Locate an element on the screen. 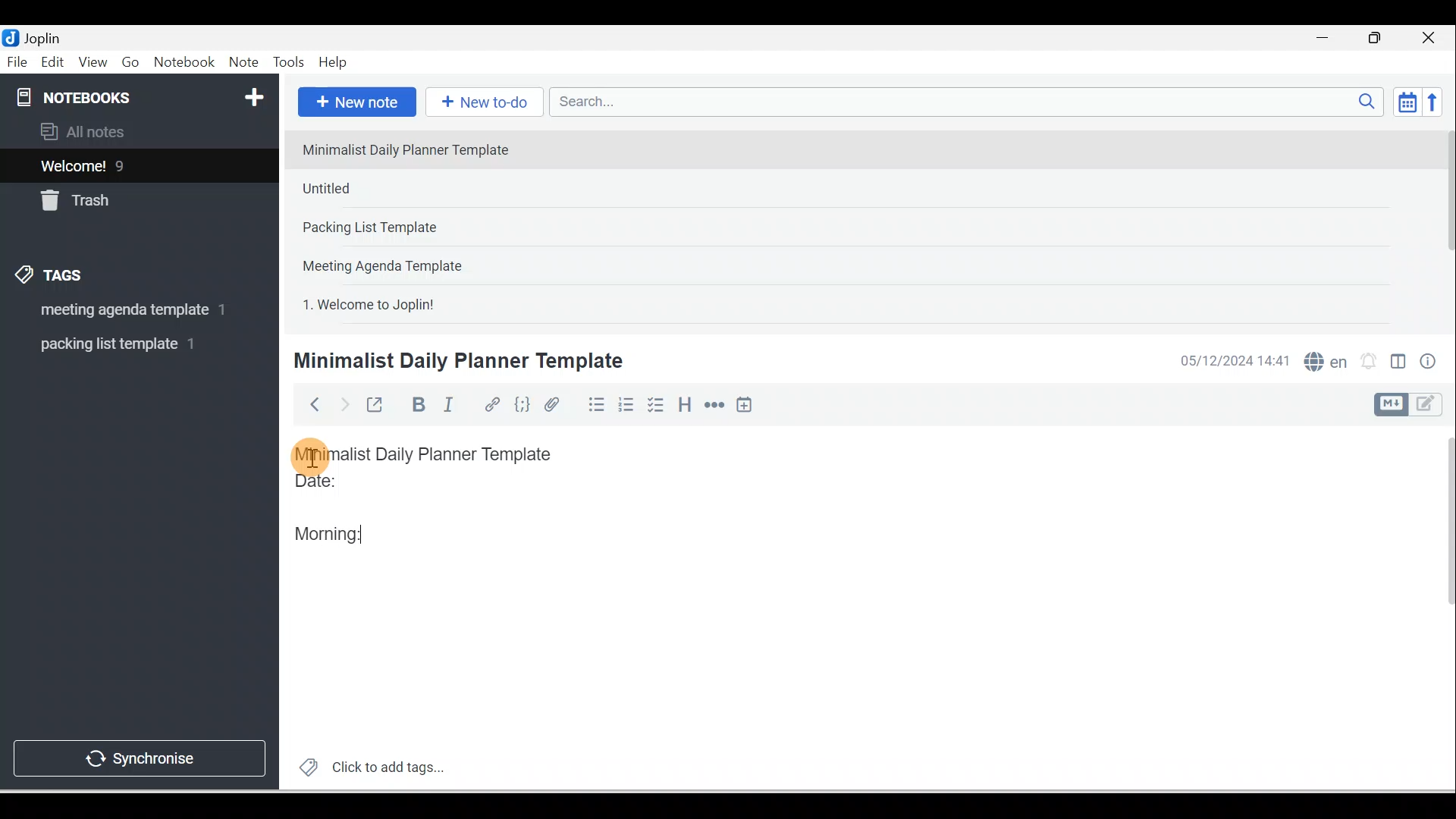  Scroll bar is located at coordinates (1439, 608).